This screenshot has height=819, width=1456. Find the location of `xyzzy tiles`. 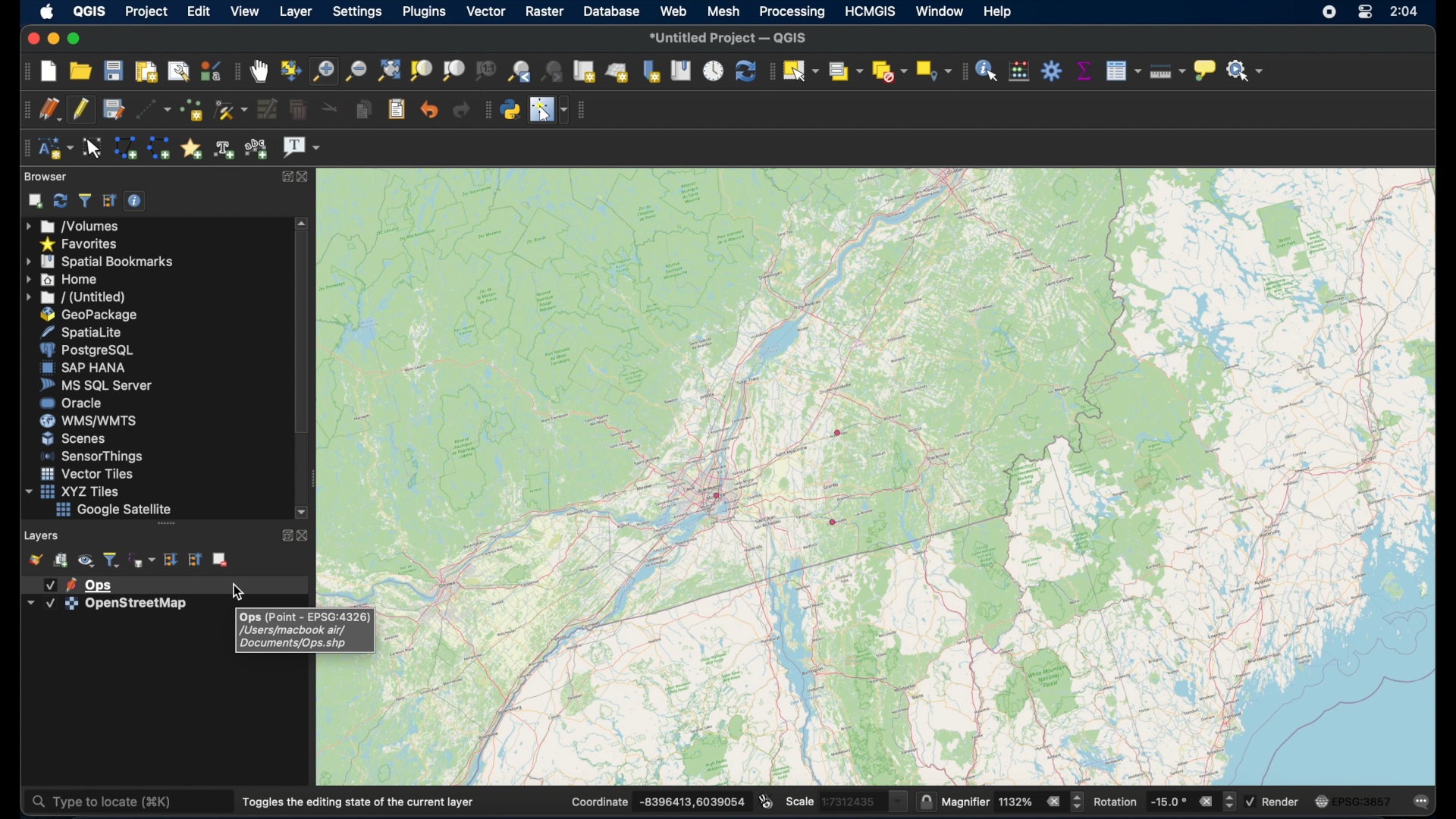

xyzzy tiles is located at coordinates (74, 491).